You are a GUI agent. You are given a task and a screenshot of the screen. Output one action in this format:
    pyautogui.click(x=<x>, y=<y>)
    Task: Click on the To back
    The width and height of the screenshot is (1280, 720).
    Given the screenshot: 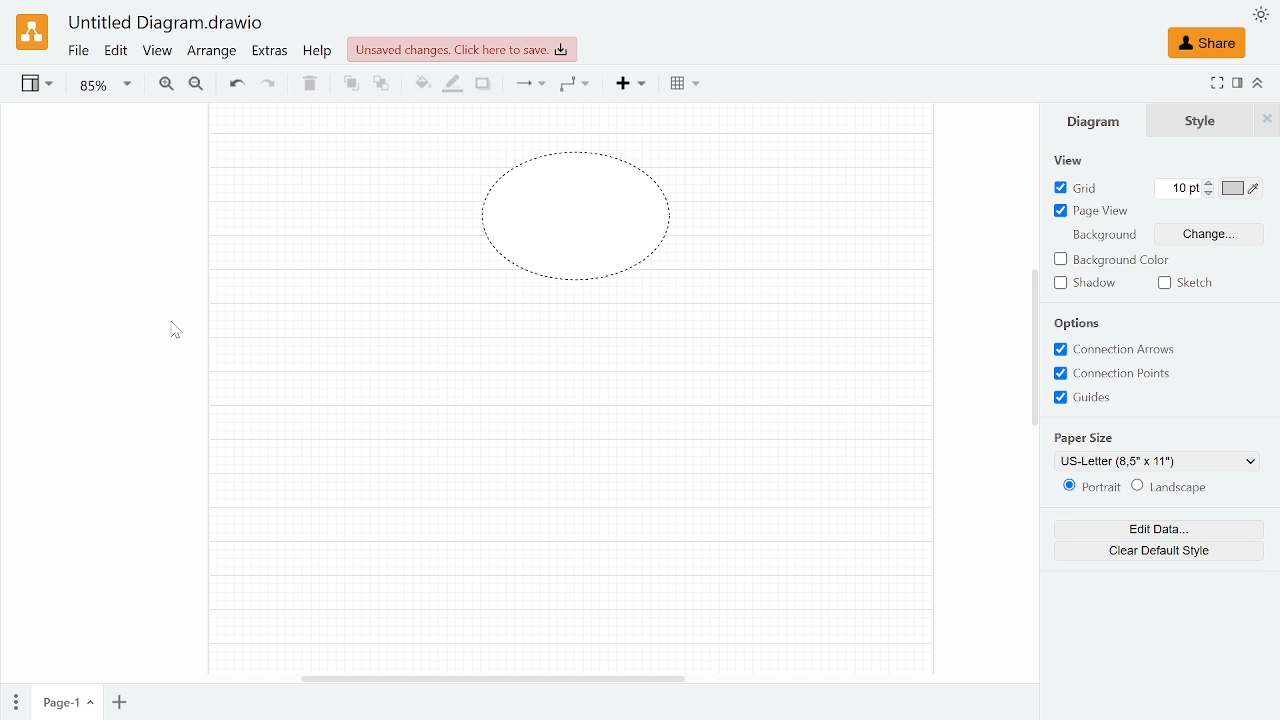 What is the action you would take?
    pyautogui.click(x=379, y=85)
    